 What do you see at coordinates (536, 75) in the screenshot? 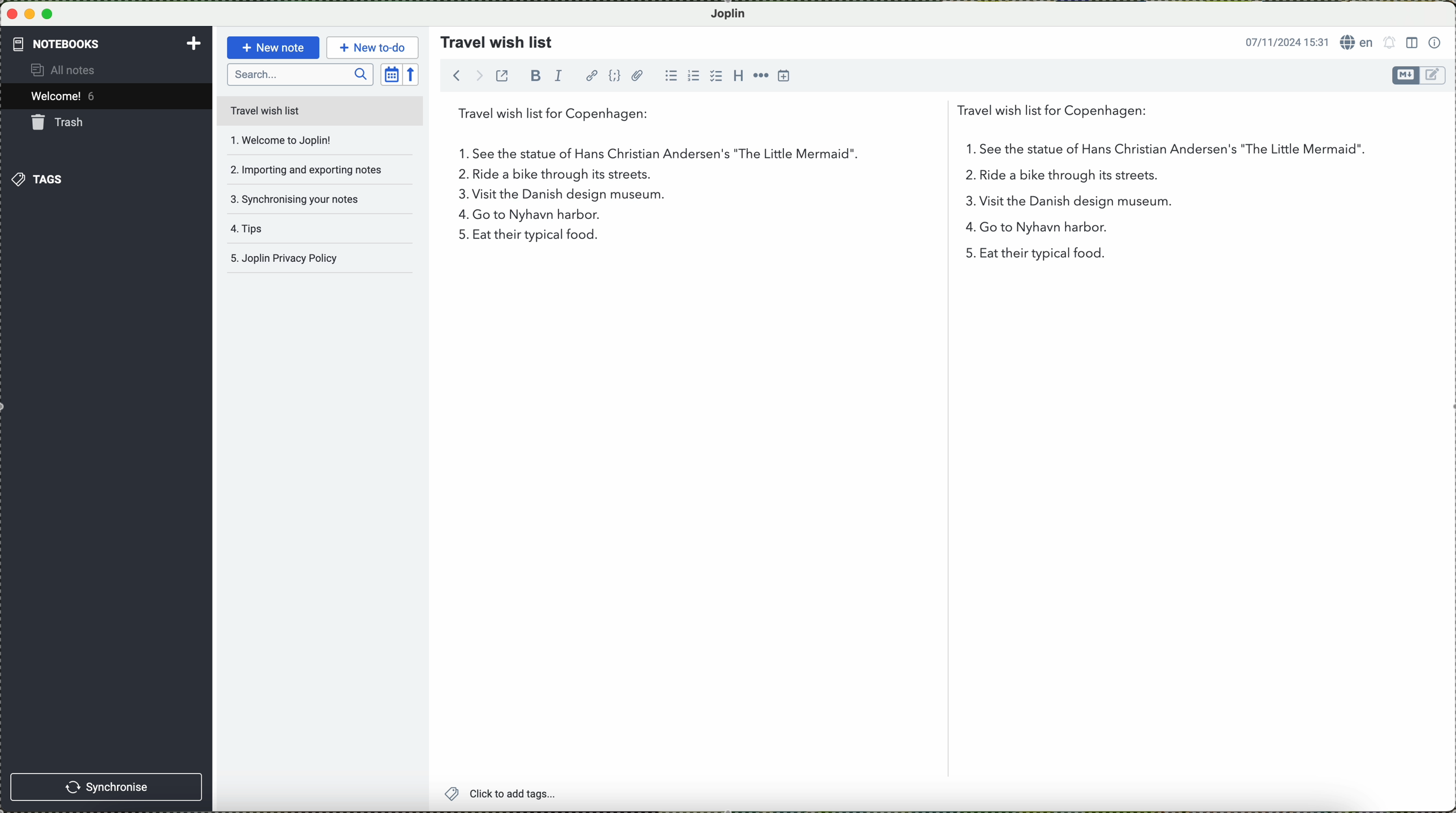
I see `bold` at bounding box center [536, 75].